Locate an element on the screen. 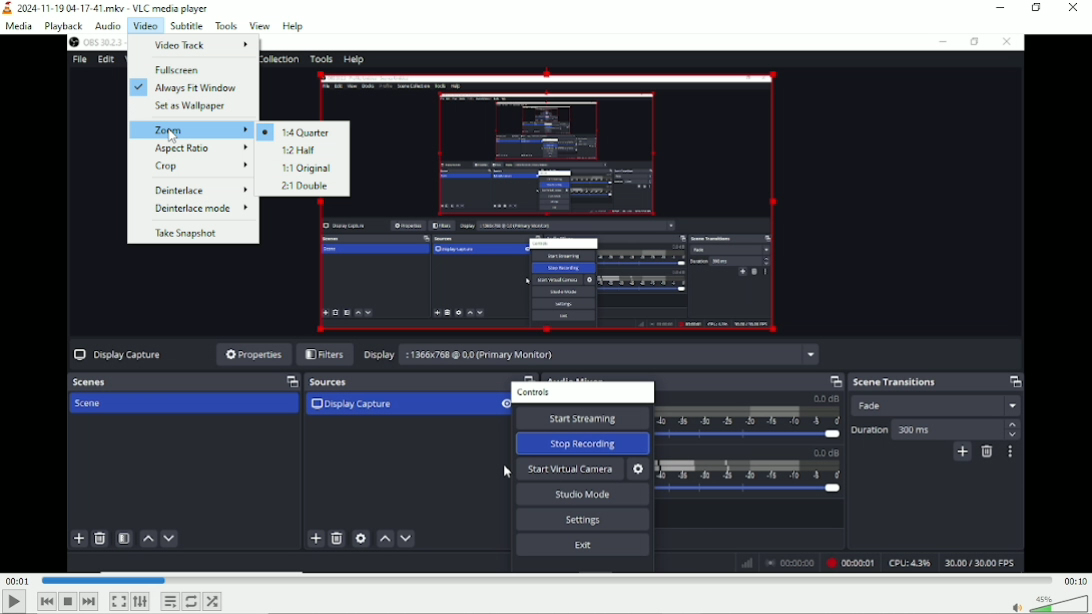 This screenshot has height=614, width=1092. Elapsed time is located at coordinates (17, 580).